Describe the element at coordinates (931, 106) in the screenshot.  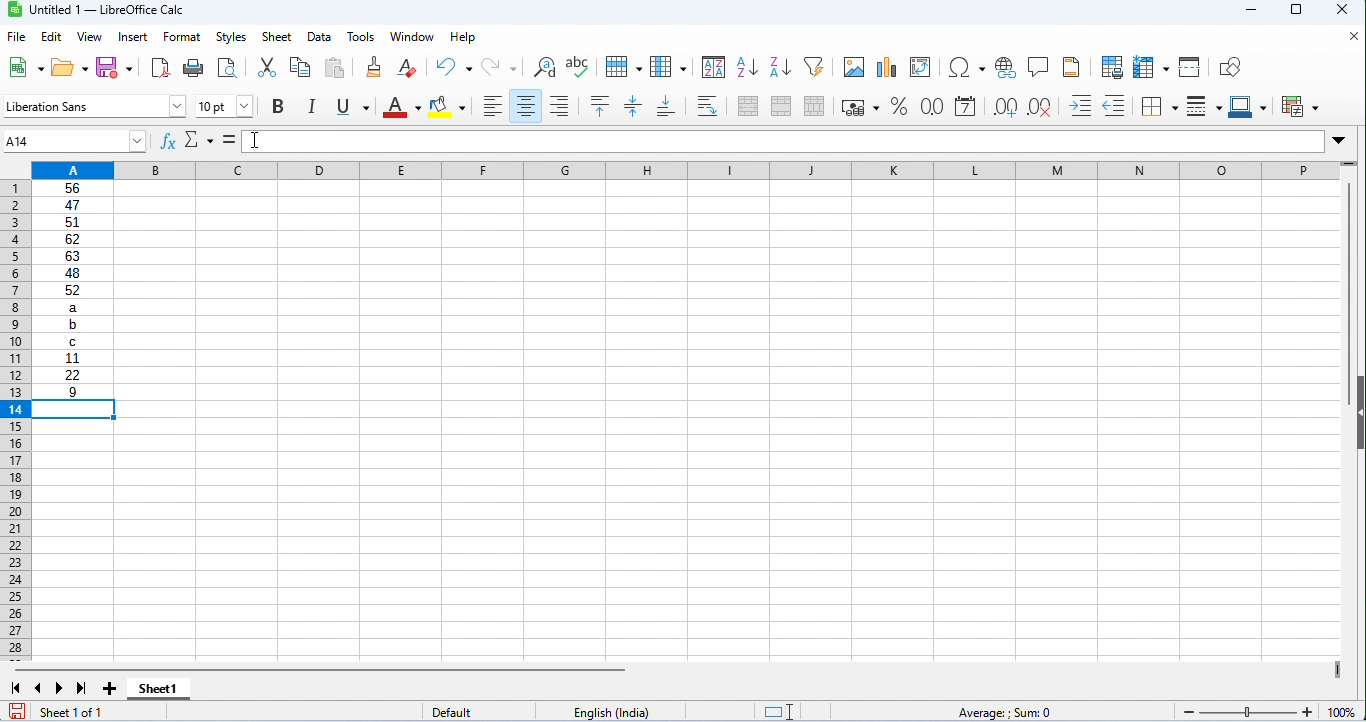
I see `format as number` at that location.